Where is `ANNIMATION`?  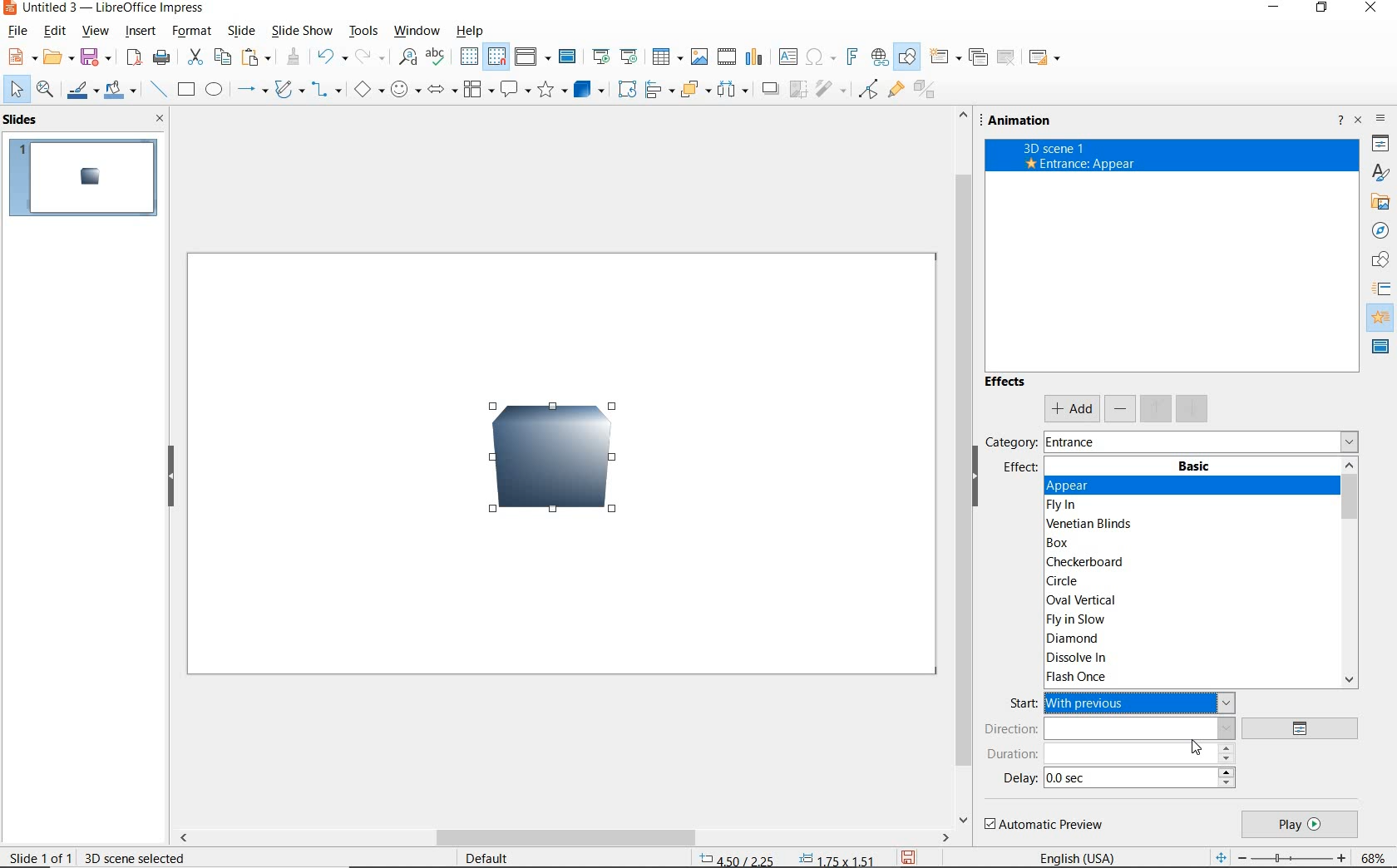 ANNIMATION is located at coordinates (1382, 317).